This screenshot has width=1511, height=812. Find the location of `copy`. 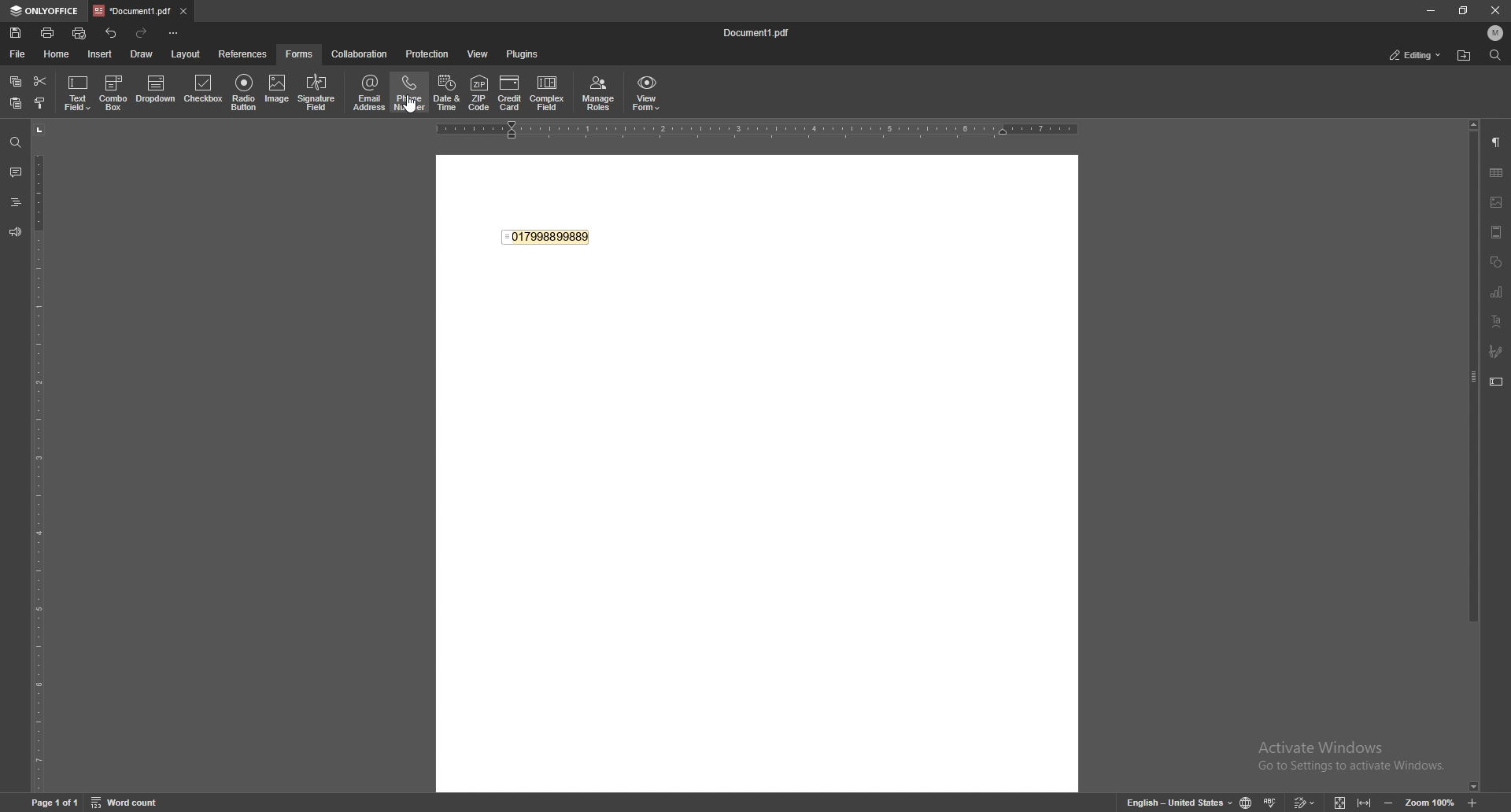

copy is located at coordinates (15, 81).